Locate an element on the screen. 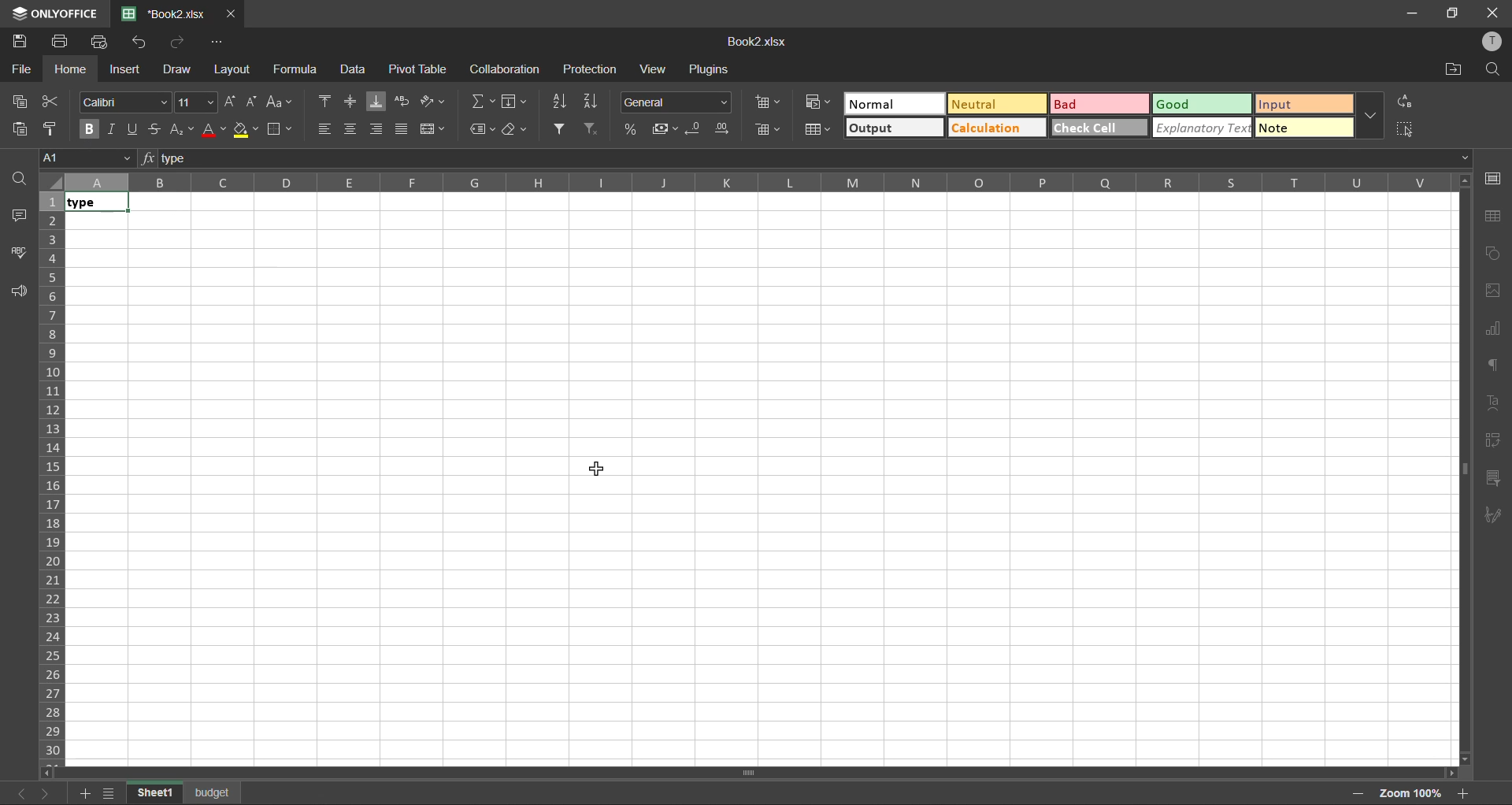 This screenshot has width=1512, height=805. increase decimal is located at coordinates (724, 128).